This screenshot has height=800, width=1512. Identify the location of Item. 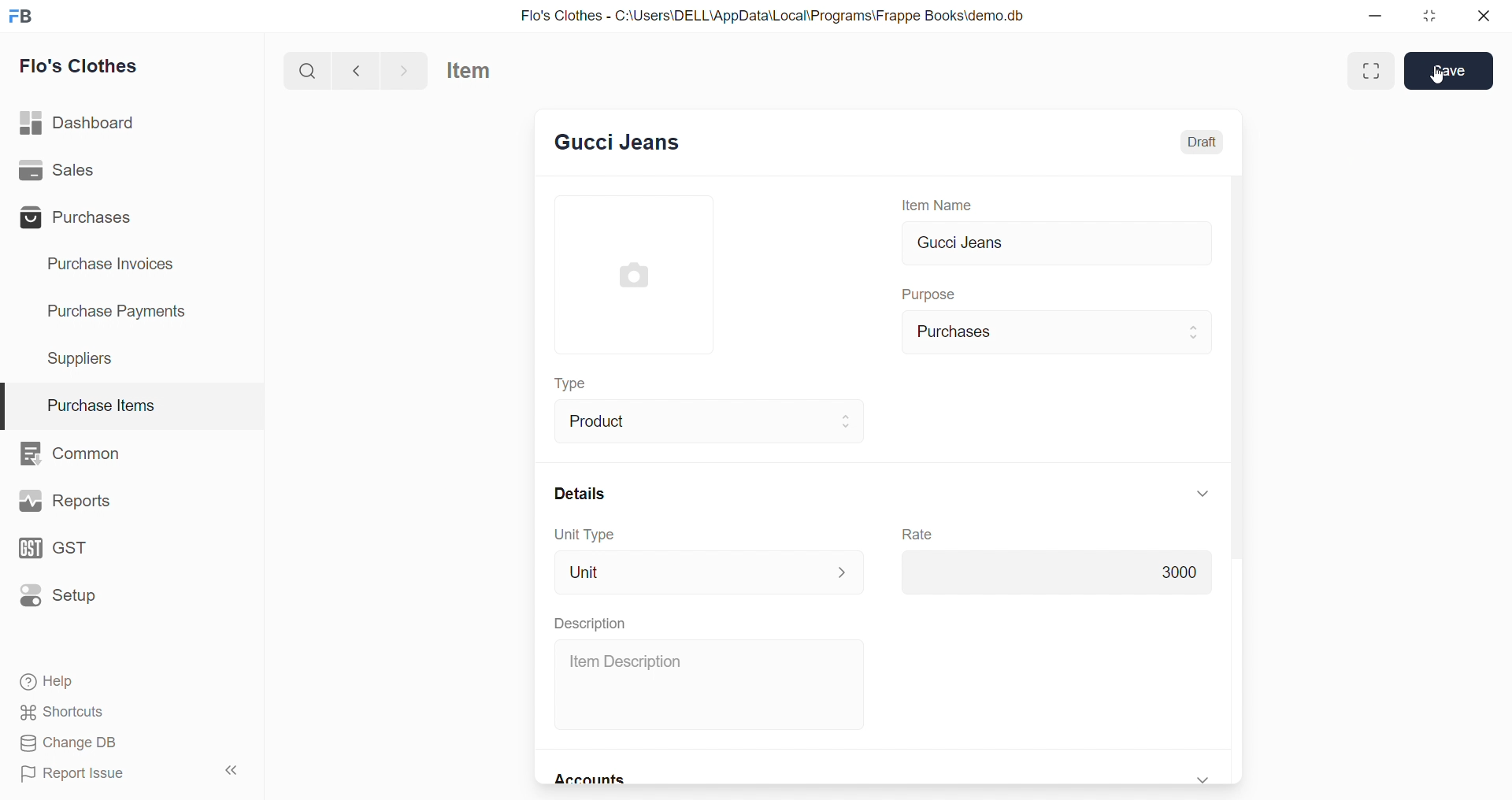
(480, 71).